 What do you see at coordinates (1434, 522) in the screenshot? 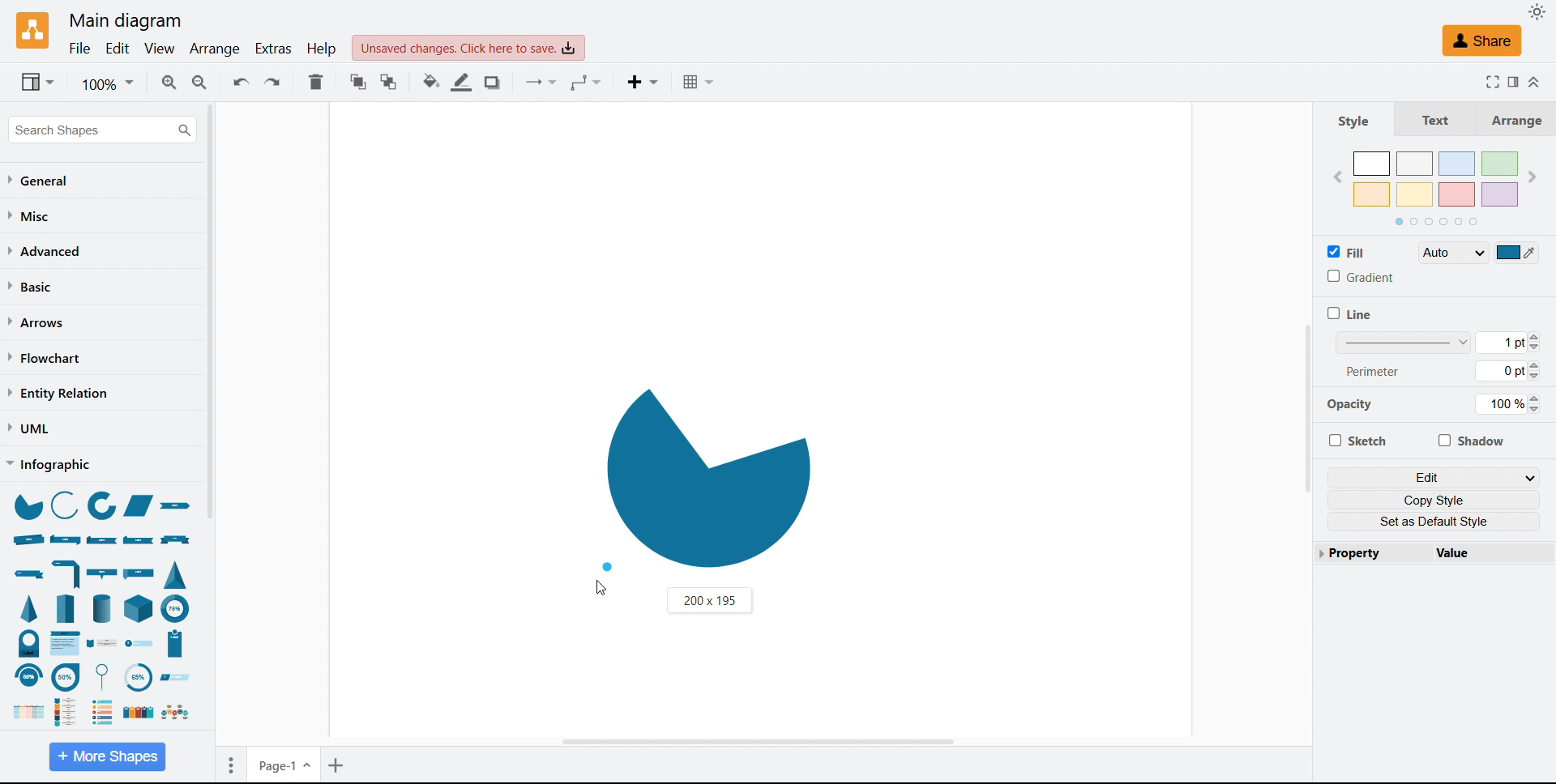
I see `Set as default style ` at bounding box center [1434, 522].